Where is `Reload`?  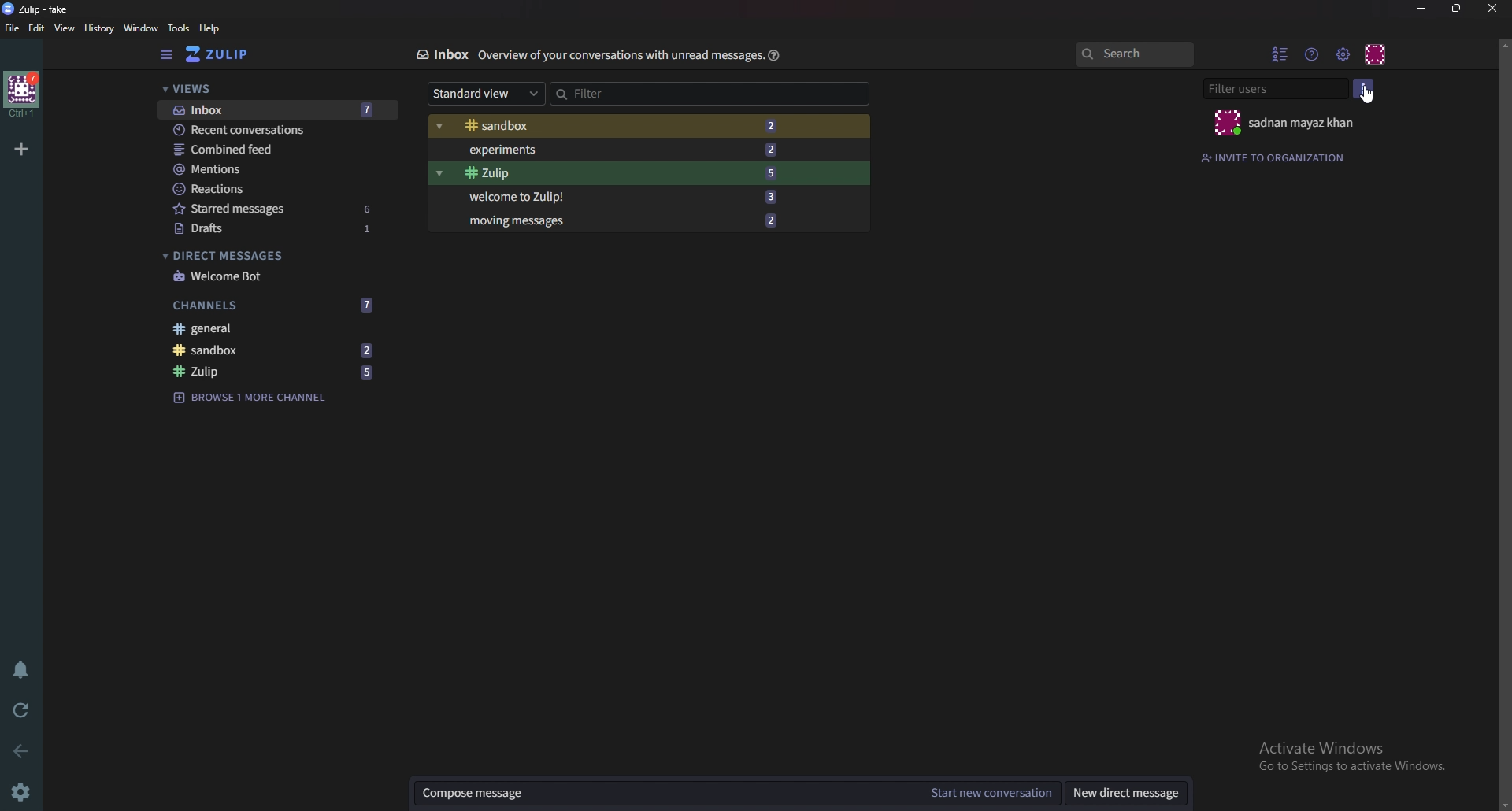
Reload is located at coordinates (21, 709).